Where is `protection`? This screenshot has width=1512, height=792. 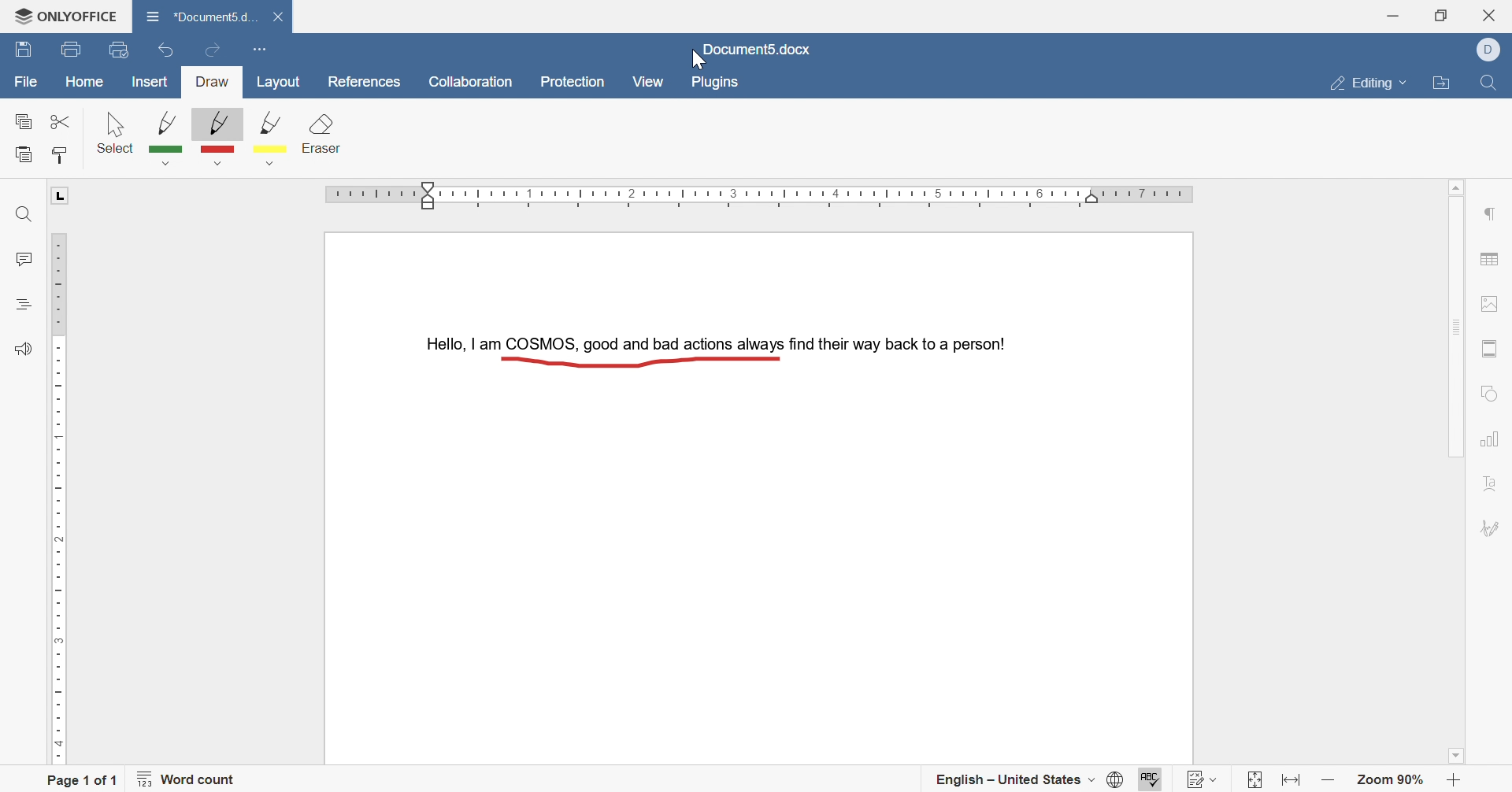 protection is located at coordinates (576, 83).